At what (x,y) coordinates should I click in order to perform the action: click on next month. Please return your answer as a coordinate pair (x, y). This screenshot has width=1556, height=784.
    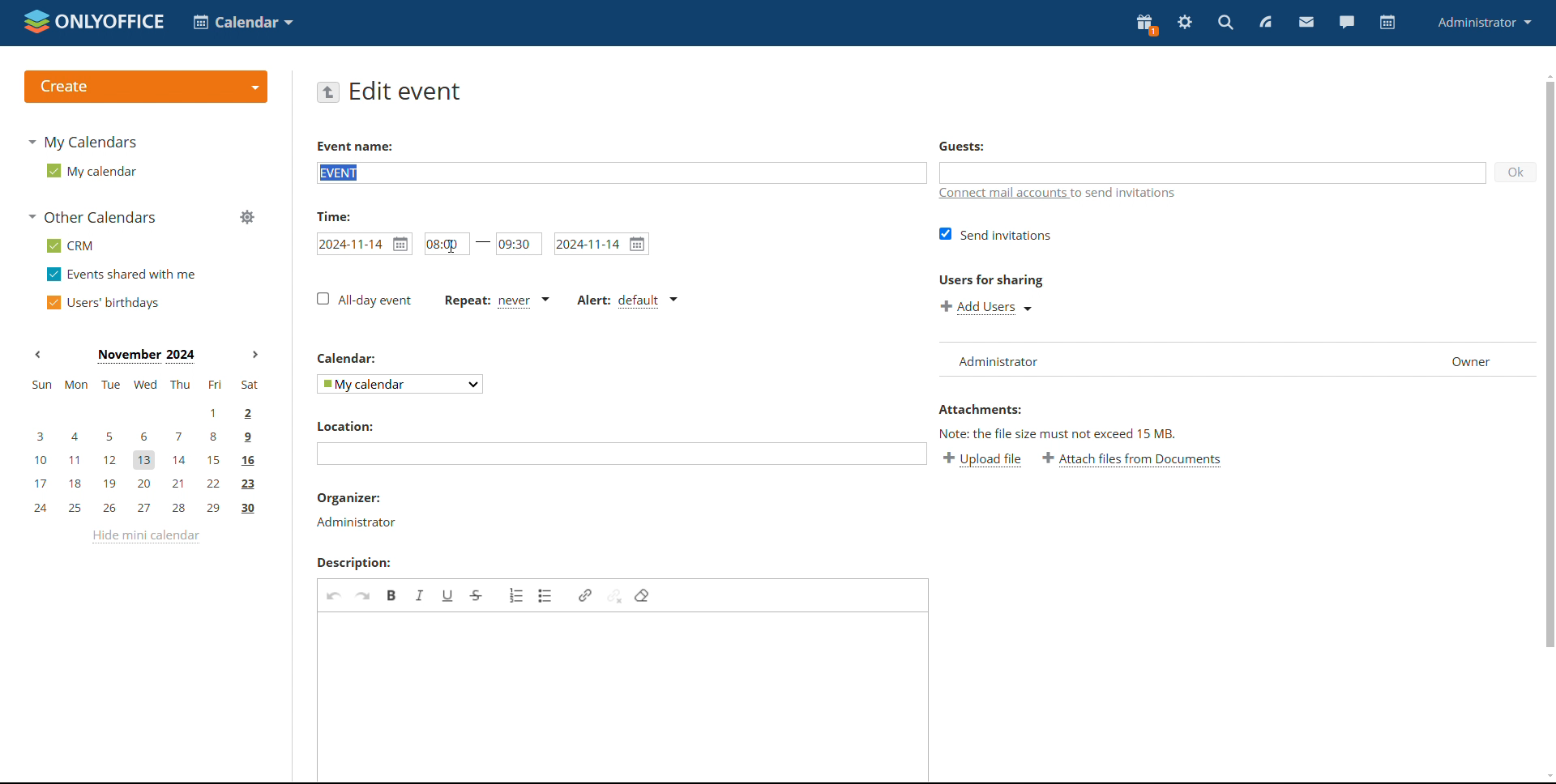
    Looking at the image, I should click on (255, 355).